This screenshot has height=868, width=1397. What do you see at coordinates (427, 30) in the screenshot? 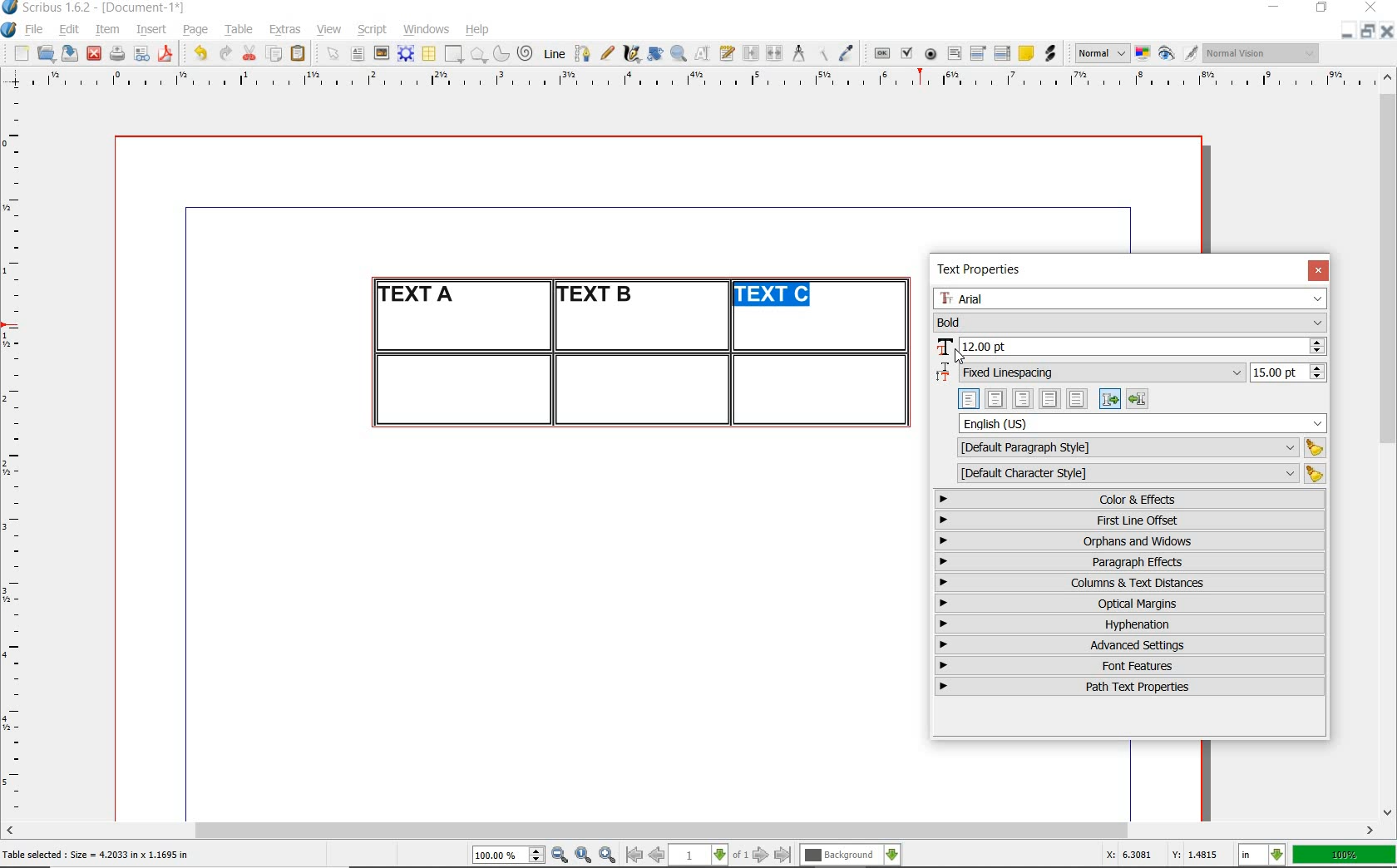
I see `windows` at bounding box center [427, 30].